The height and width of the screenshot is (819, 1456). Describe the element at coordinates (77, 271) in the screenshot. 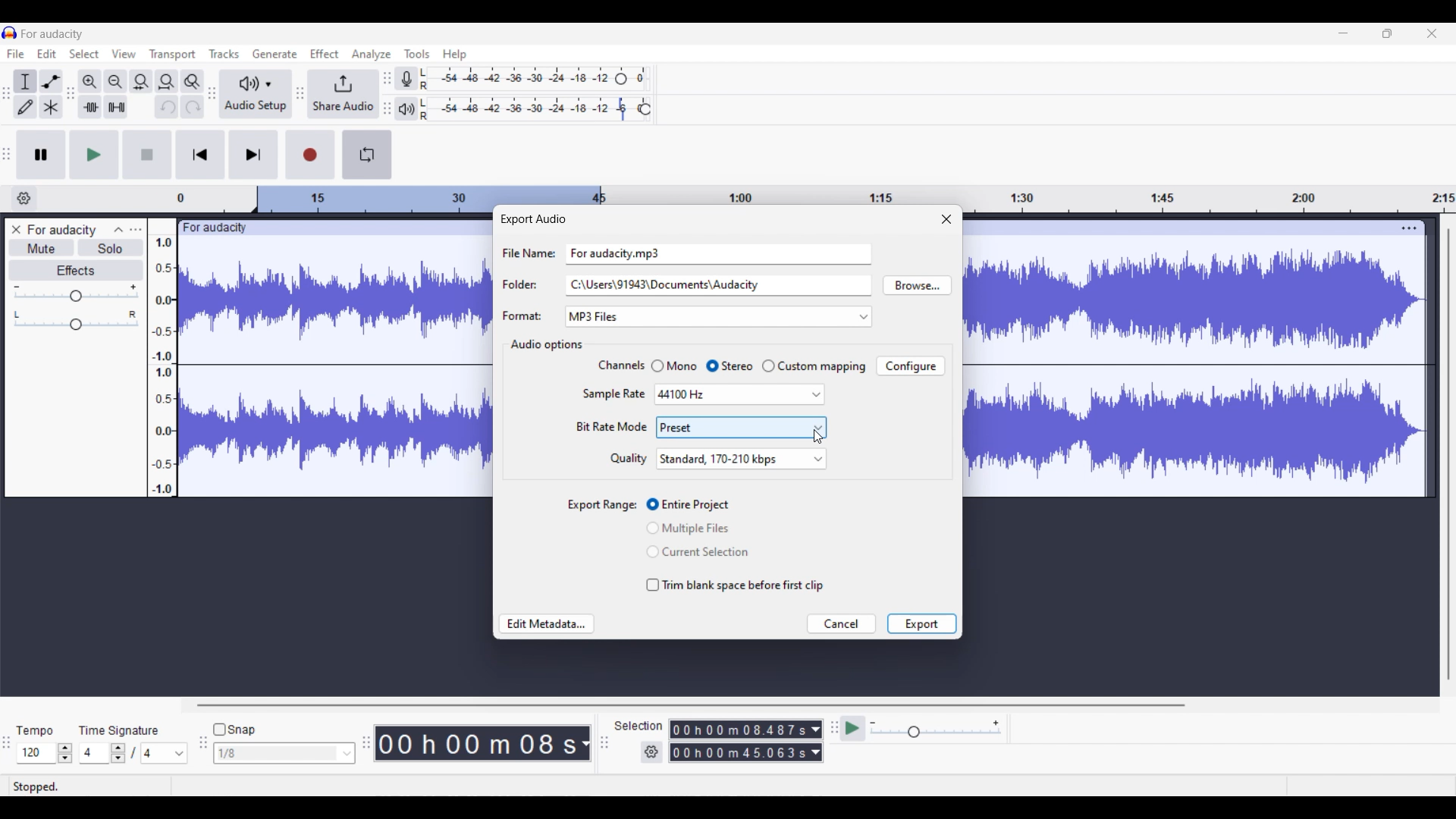

I see `Effects` at that location.